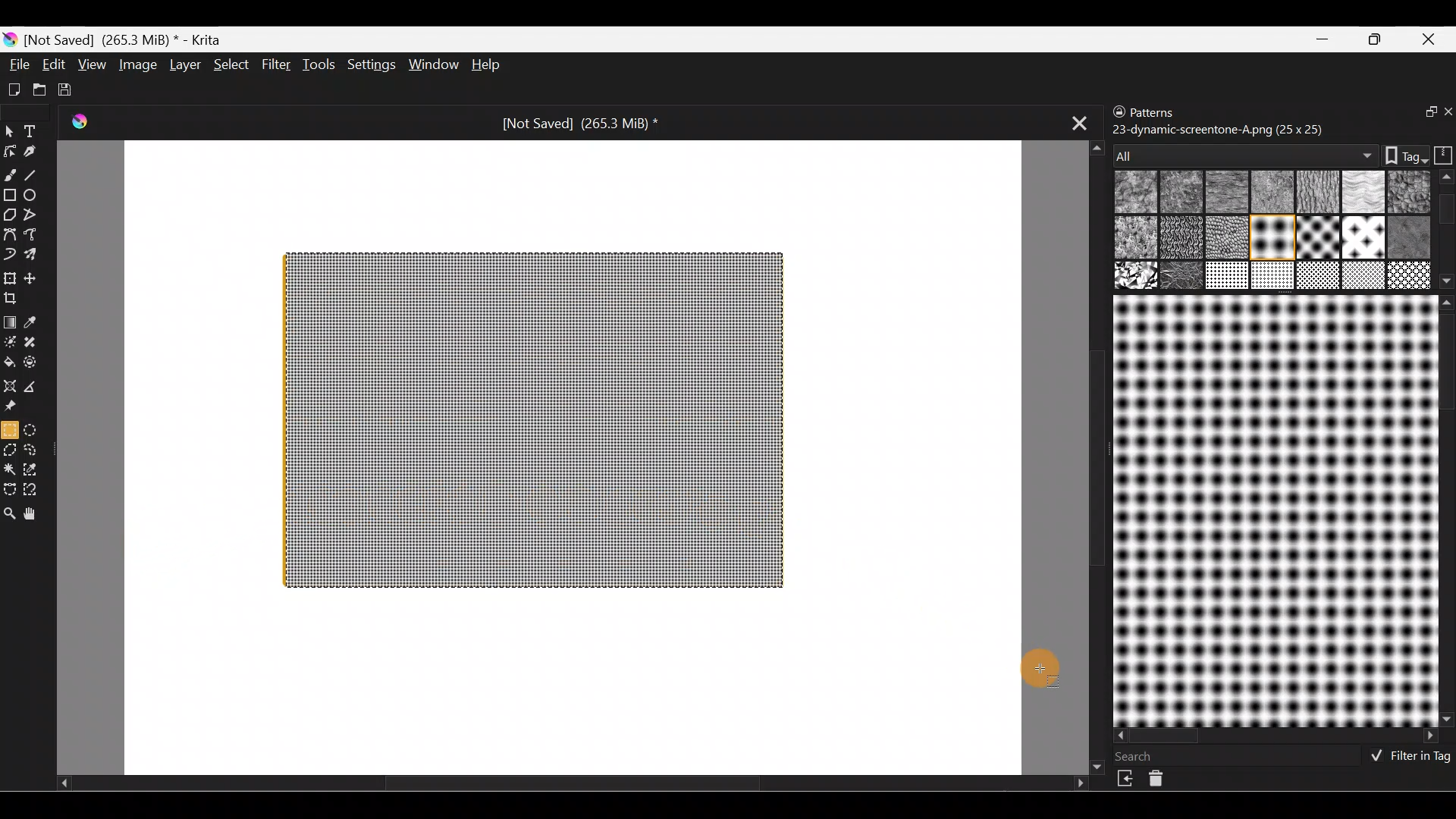 The height and width of the screenshot is (819, 1456). What do you see at coordinates (1274, 275) in the screenshot?
I see `17 texture_melt.png` at bounding box center [1274, 275].